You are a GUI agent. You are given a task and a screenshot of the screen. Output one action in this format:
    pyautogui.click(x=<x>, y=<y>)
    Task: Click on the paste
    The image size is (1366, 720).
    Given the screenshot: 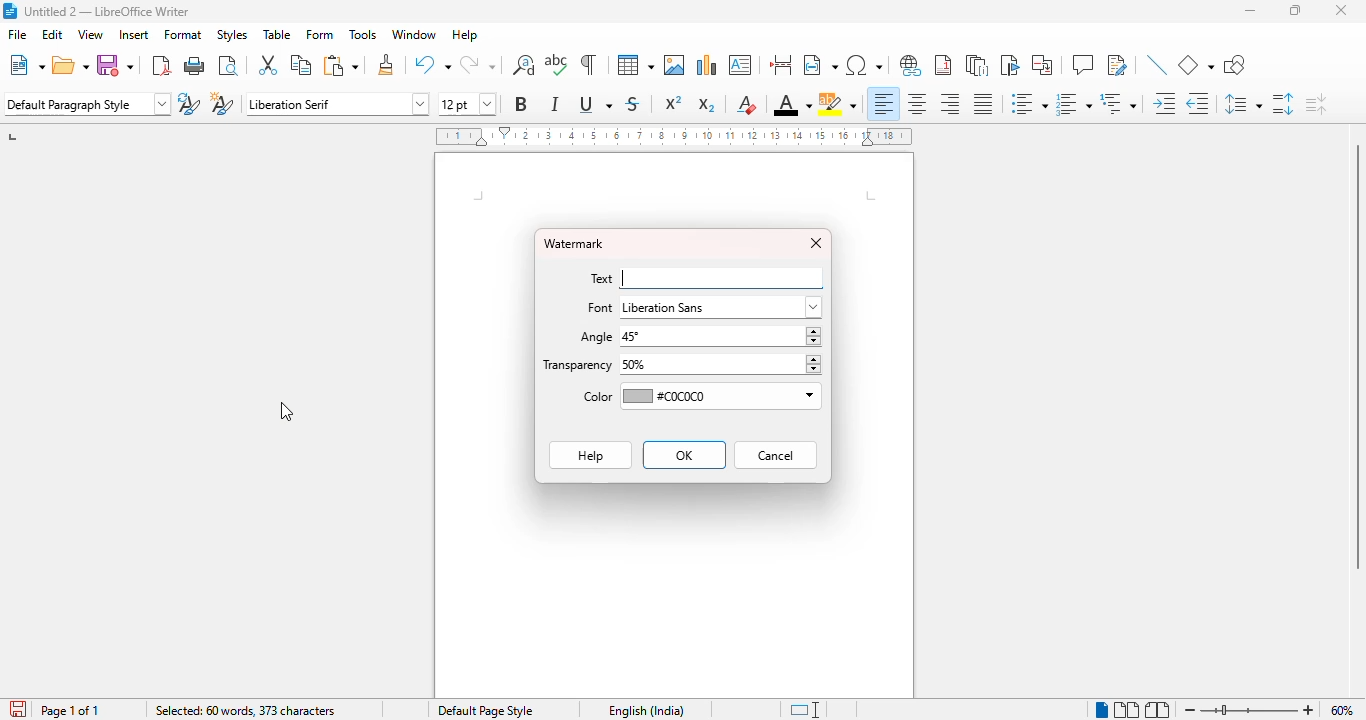 What is the action you would take?
    pyautogui.click(x=342, y=65)
    